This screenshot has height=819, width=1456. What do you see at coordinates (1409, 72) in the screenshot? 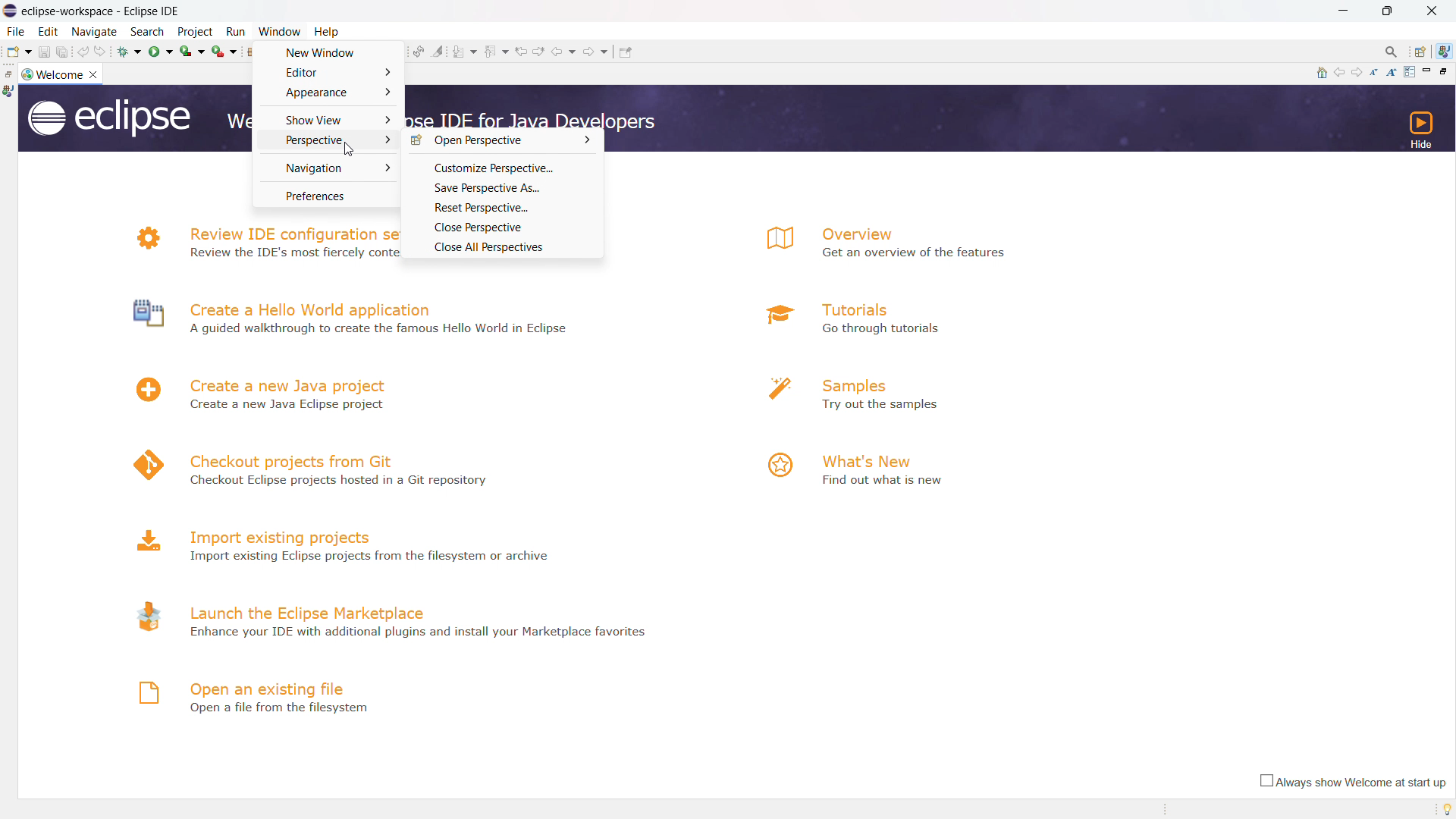
I see `customize page` at bounding box center [1409, 72].